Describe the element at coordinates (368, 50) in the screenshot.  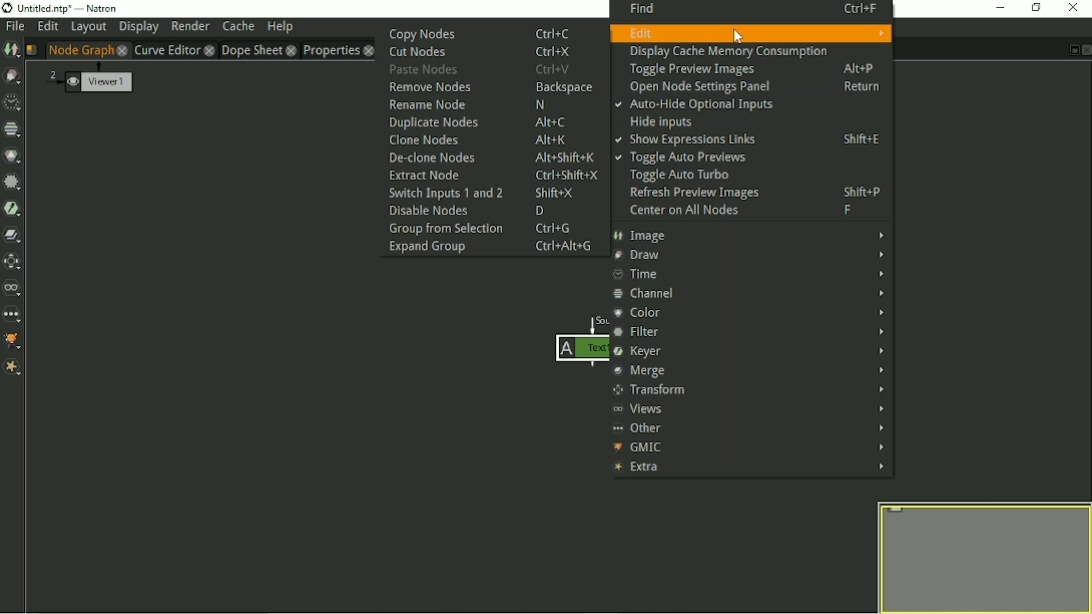
I see `close` at that location.